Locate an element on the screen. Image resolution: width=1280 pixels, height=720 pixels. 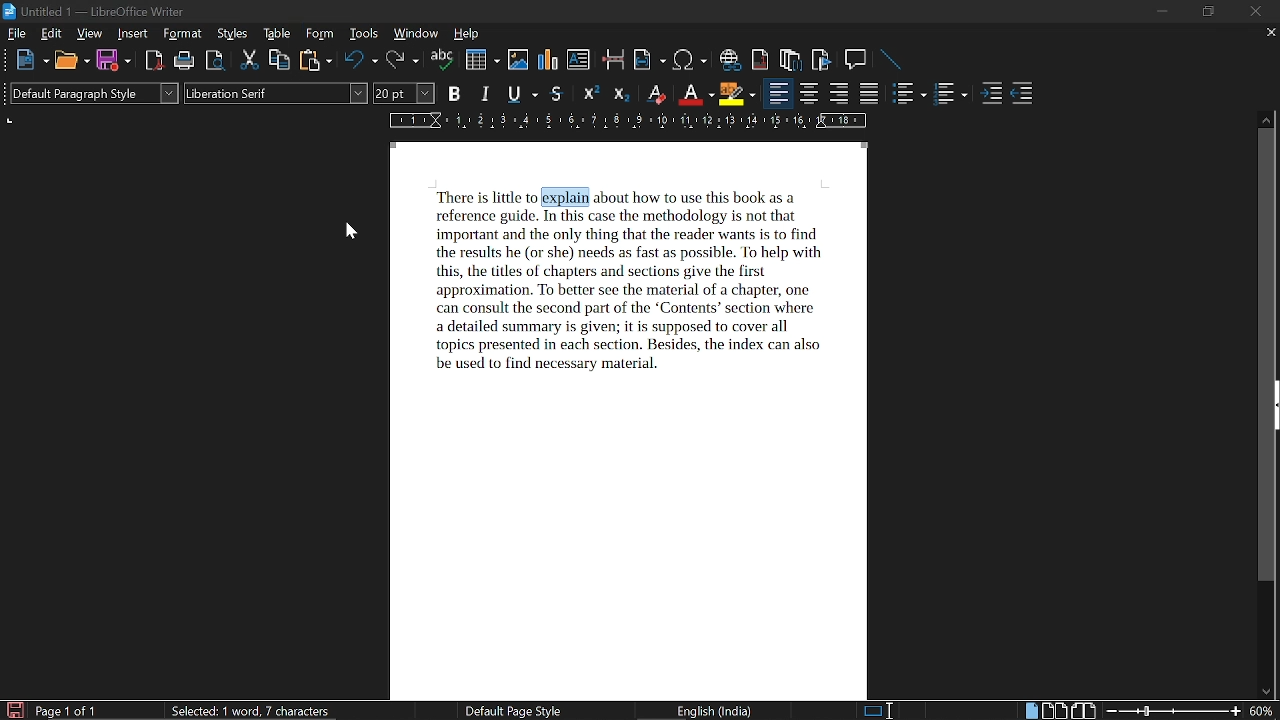
form is located at coordinates (322, 34).